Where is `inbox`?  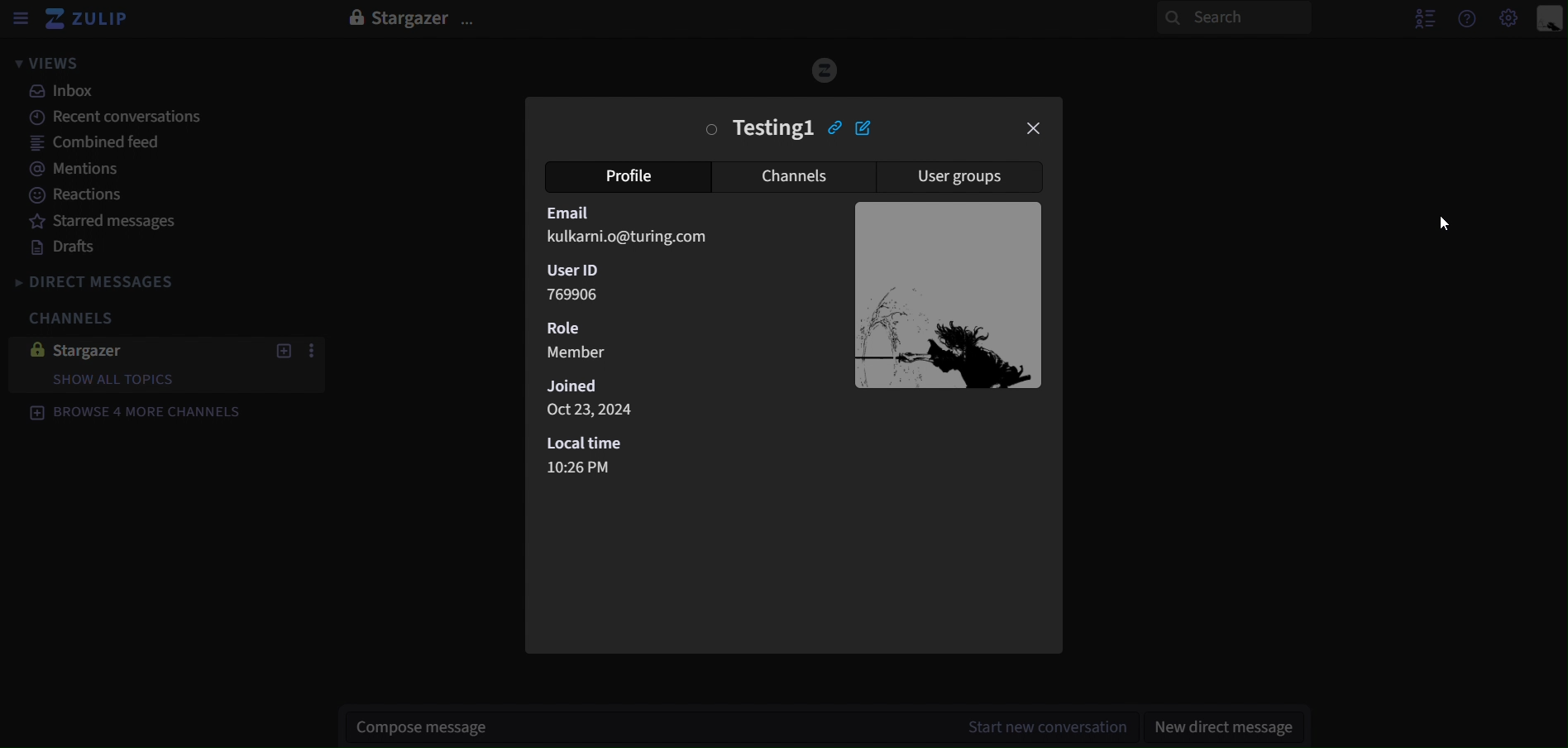
inbox is located at coordinates (65, 93).